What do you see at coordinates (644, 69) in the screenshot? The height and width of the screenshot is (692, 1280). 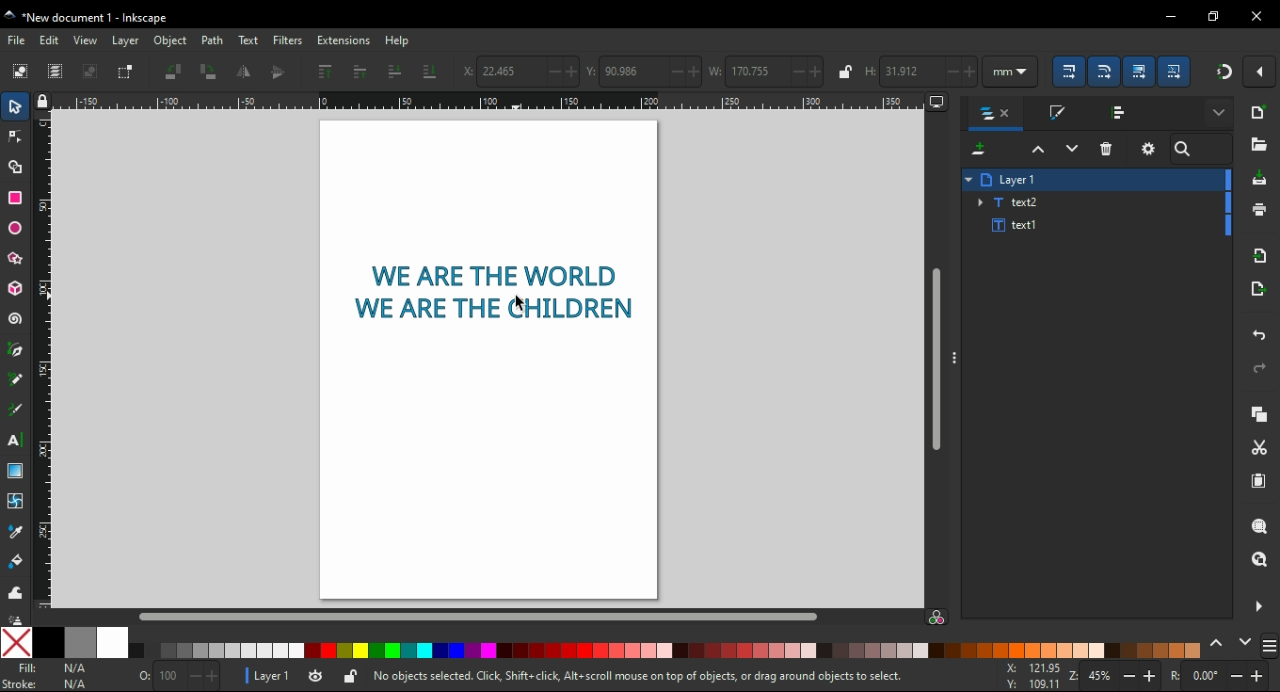 I see `vertical coordinates of selected object` at bounding box center [644, 69].